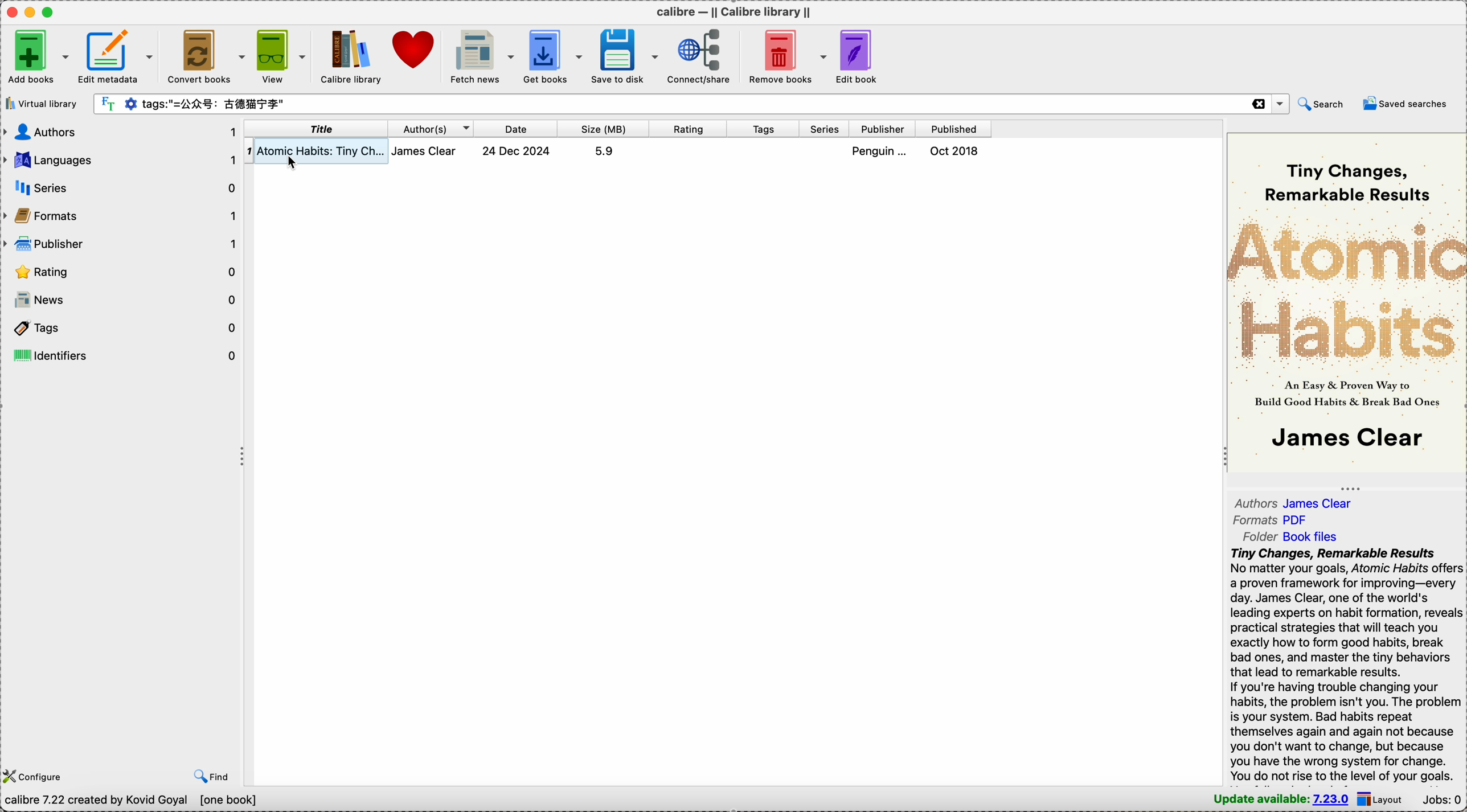 The width and height of the screenshot is (1467, 812). I want to click on remove books, so click(784, 58).